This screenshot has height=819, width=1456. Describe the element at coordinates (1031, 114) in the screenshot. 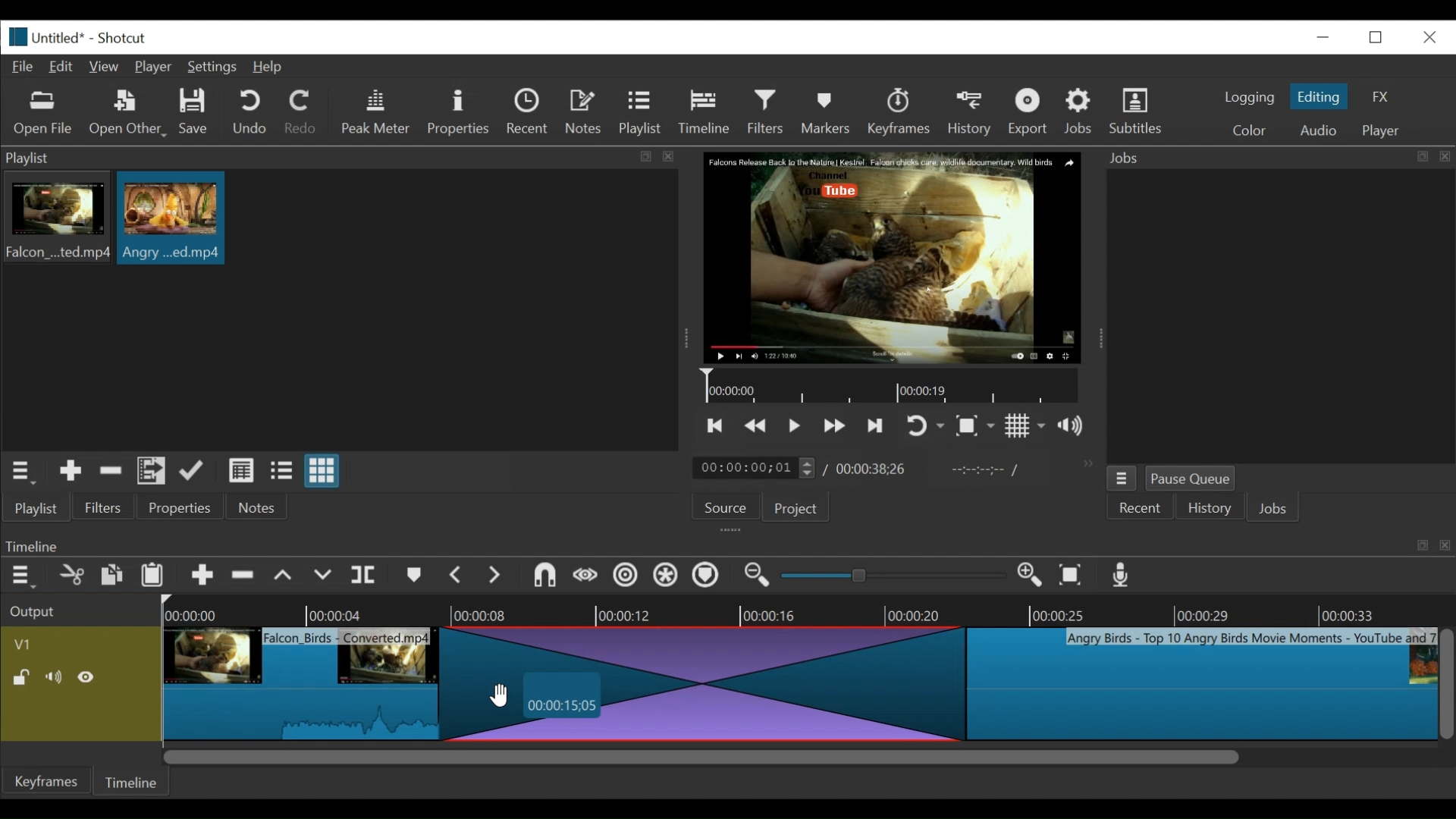

I see `Export` at that location.